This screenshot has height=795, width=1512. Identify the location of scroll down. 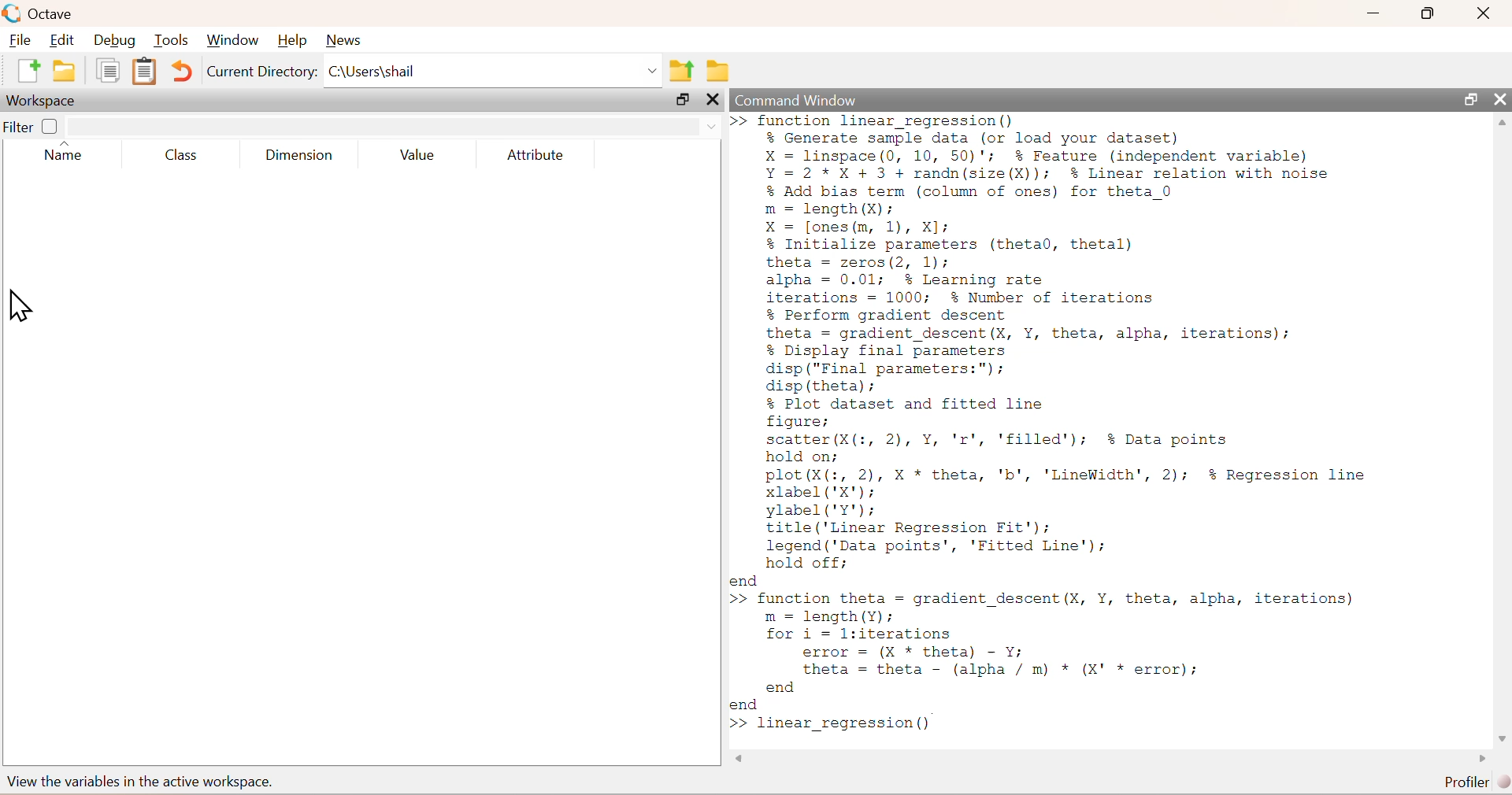
(1500, 739).